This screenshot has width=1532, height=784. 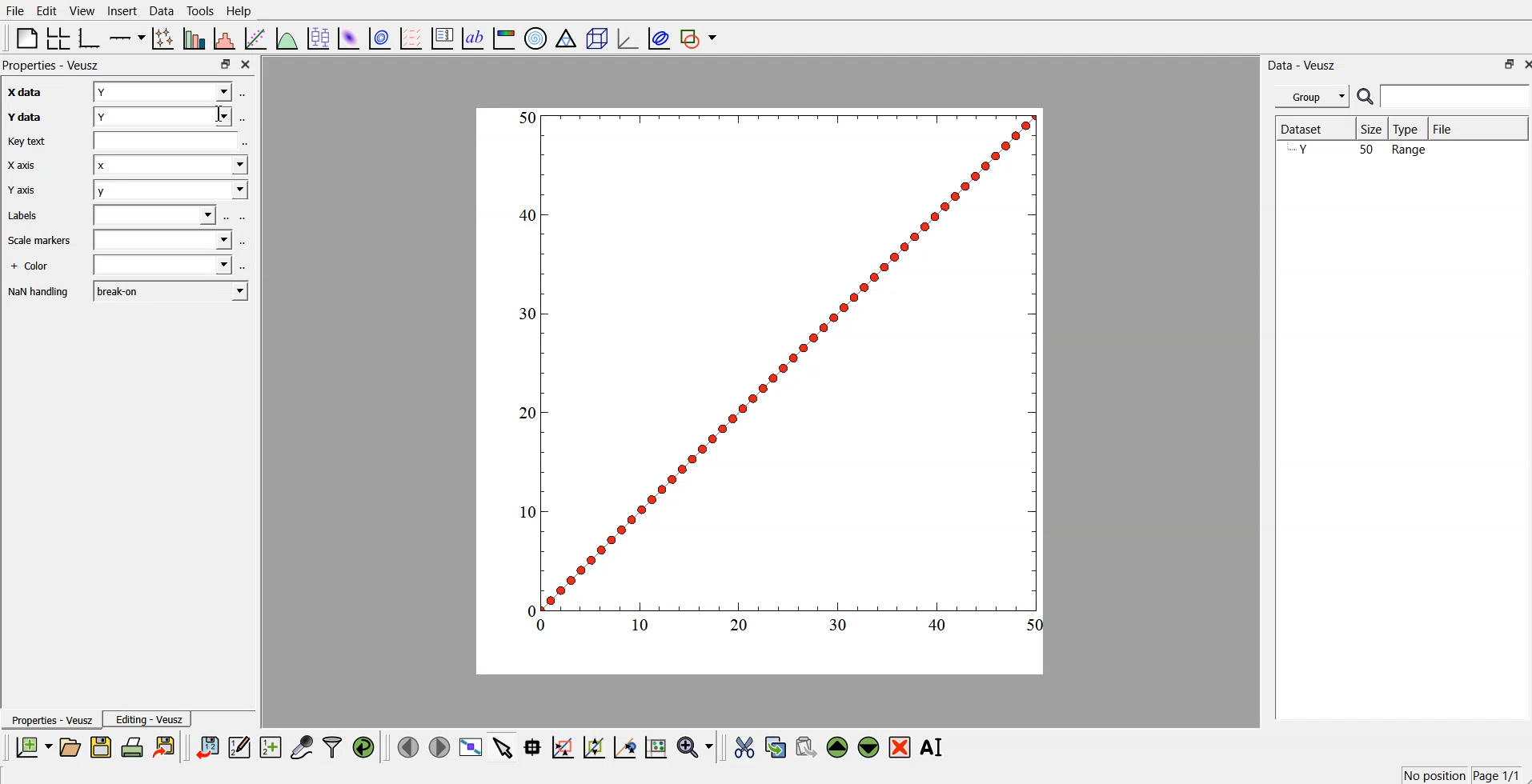 I want to click on blank page, so click(x=24, y=38).